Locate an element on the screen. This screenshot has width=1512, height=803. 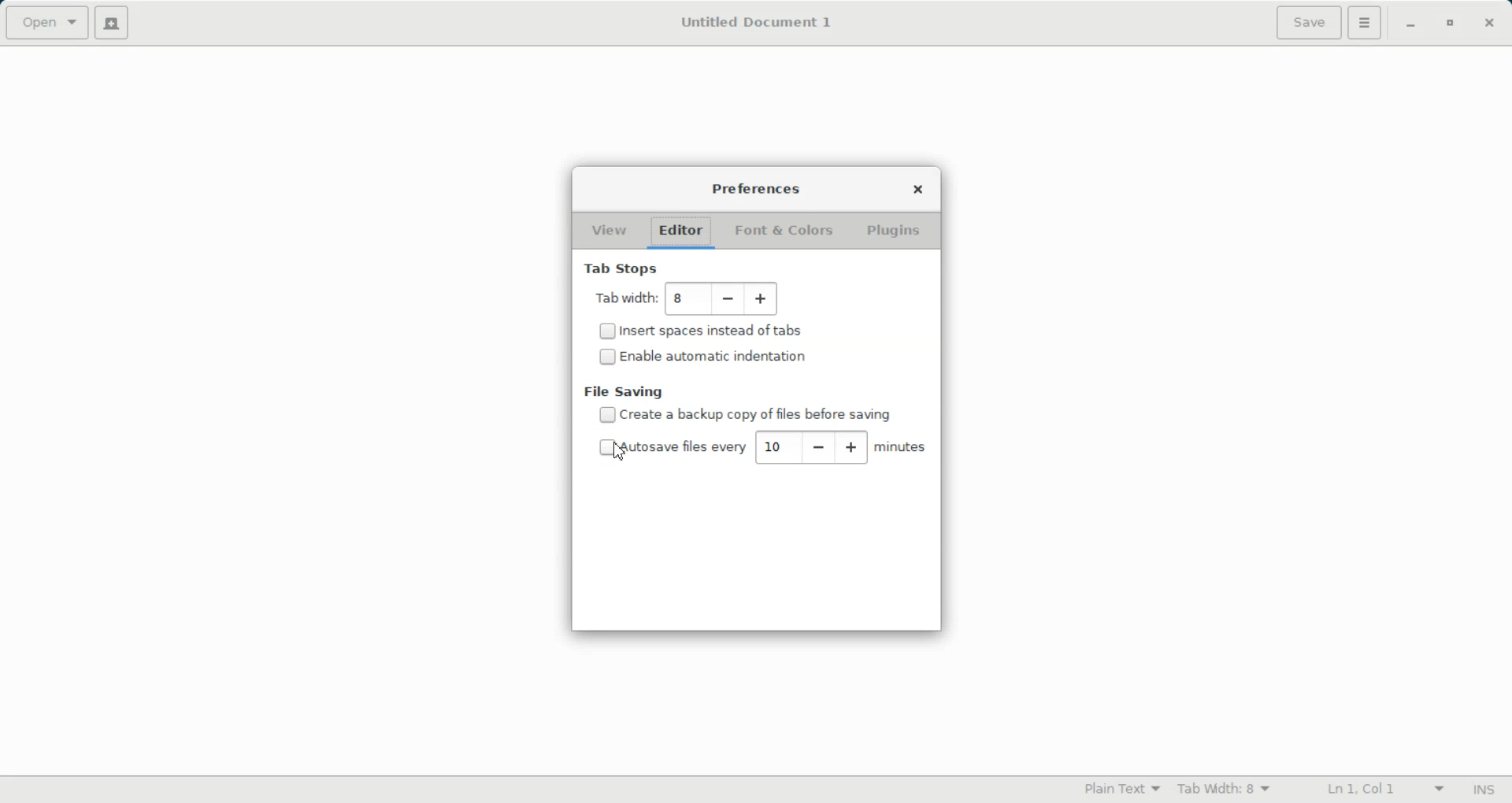
Open a file is located at coordinates (46, 22).